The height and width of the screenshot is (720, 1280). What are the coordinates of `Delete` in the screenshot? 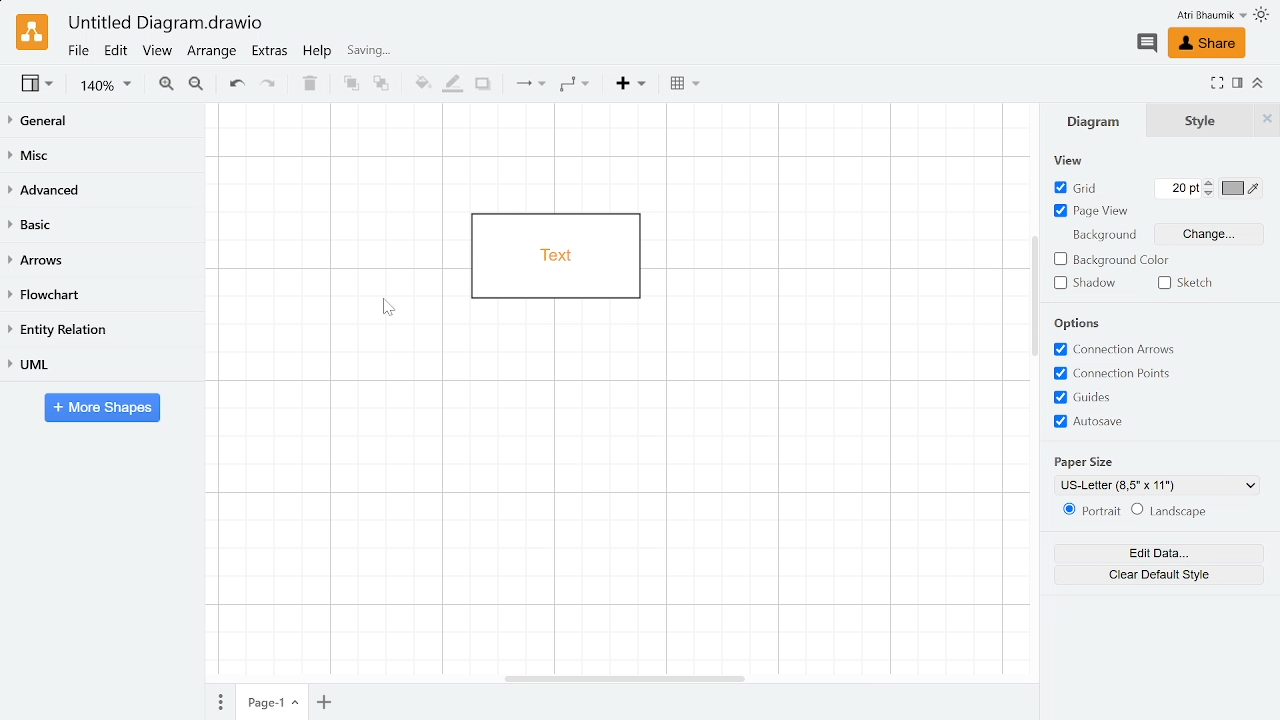 It's located at (311, 86).